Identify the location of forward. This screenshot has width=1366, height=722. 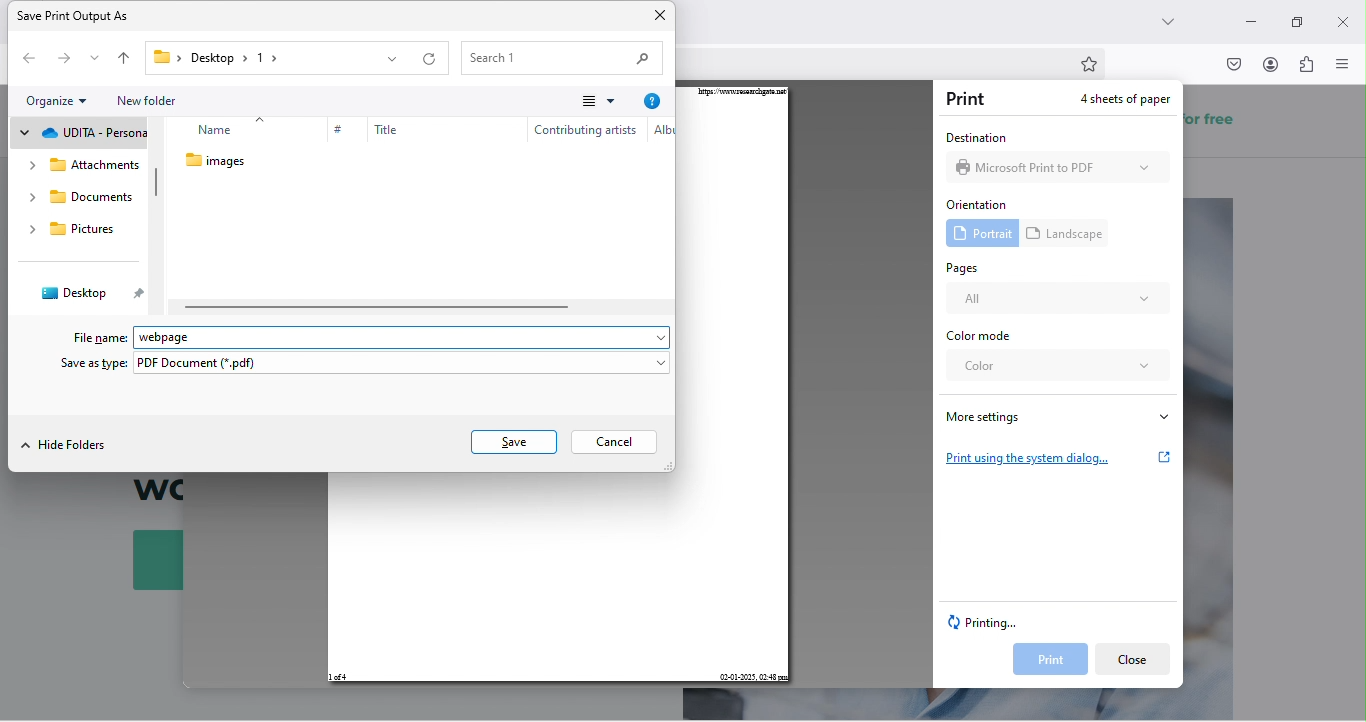
(62, 59).